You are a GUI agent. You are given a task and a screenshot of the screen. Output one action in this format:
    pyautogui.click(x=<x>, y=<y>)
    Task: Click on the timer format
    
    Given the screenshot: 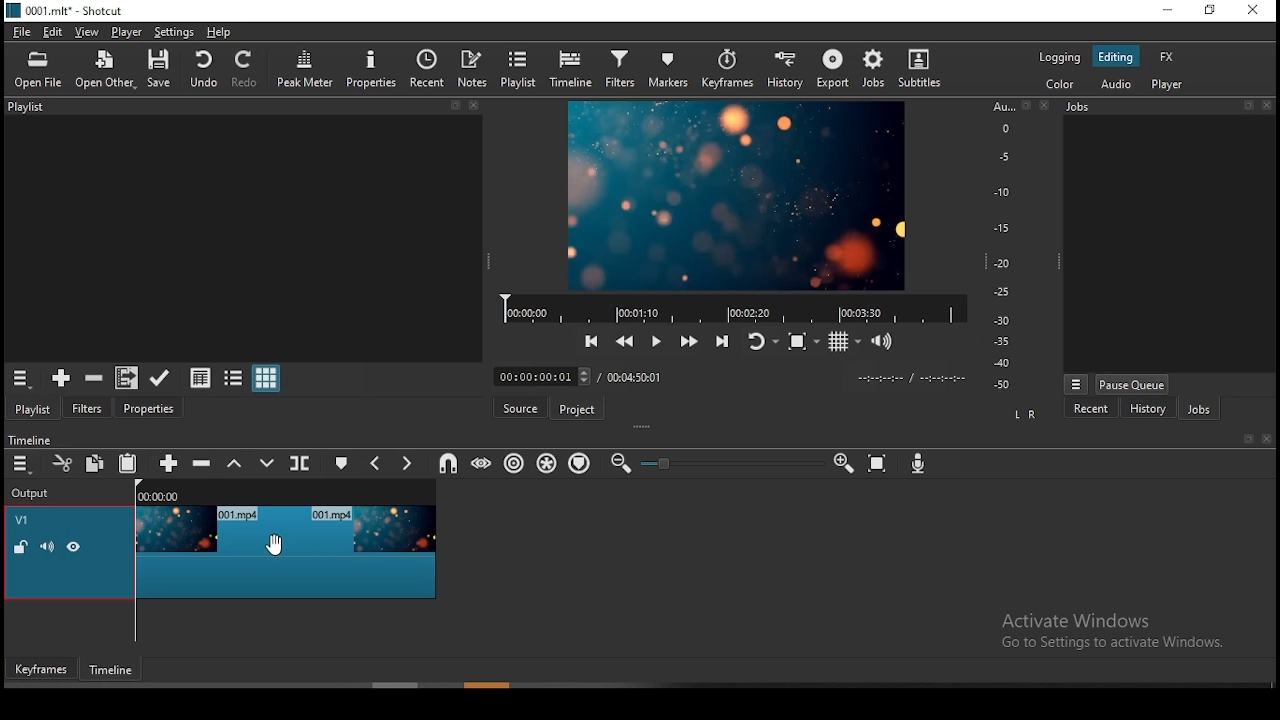 What is the action you would take?
    pyautogui.click(x=911, y=377)
    